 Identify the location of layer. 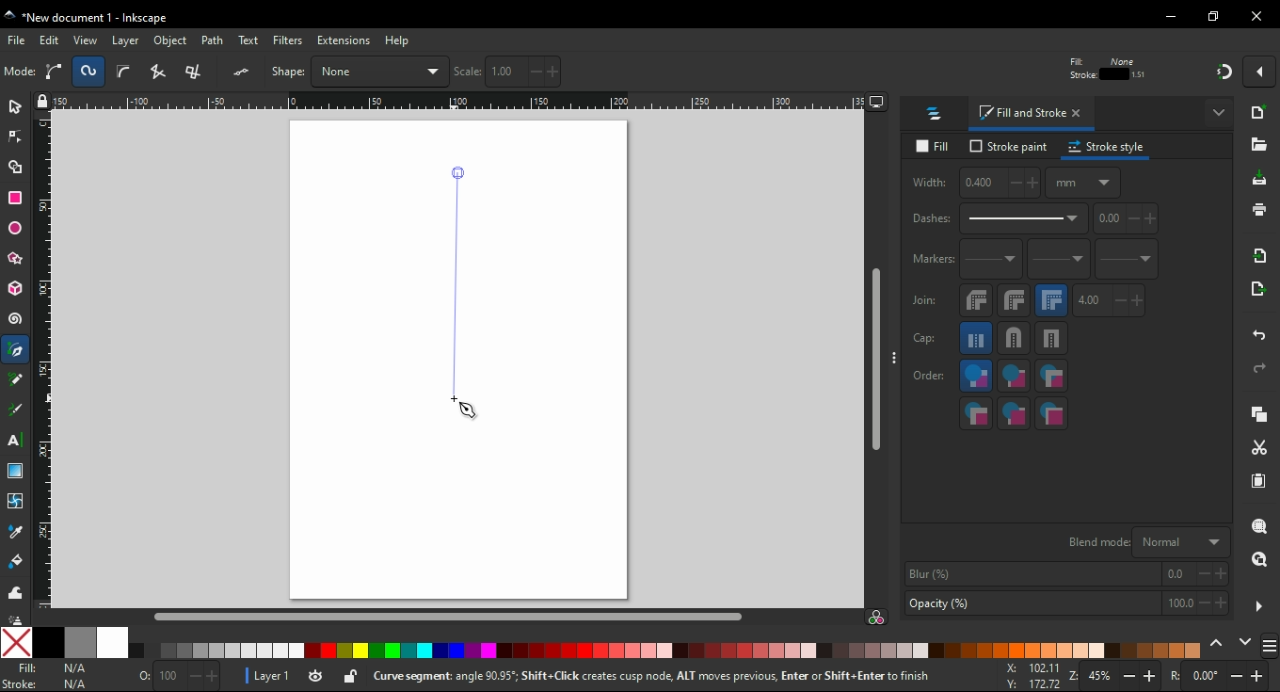
(128, 40).